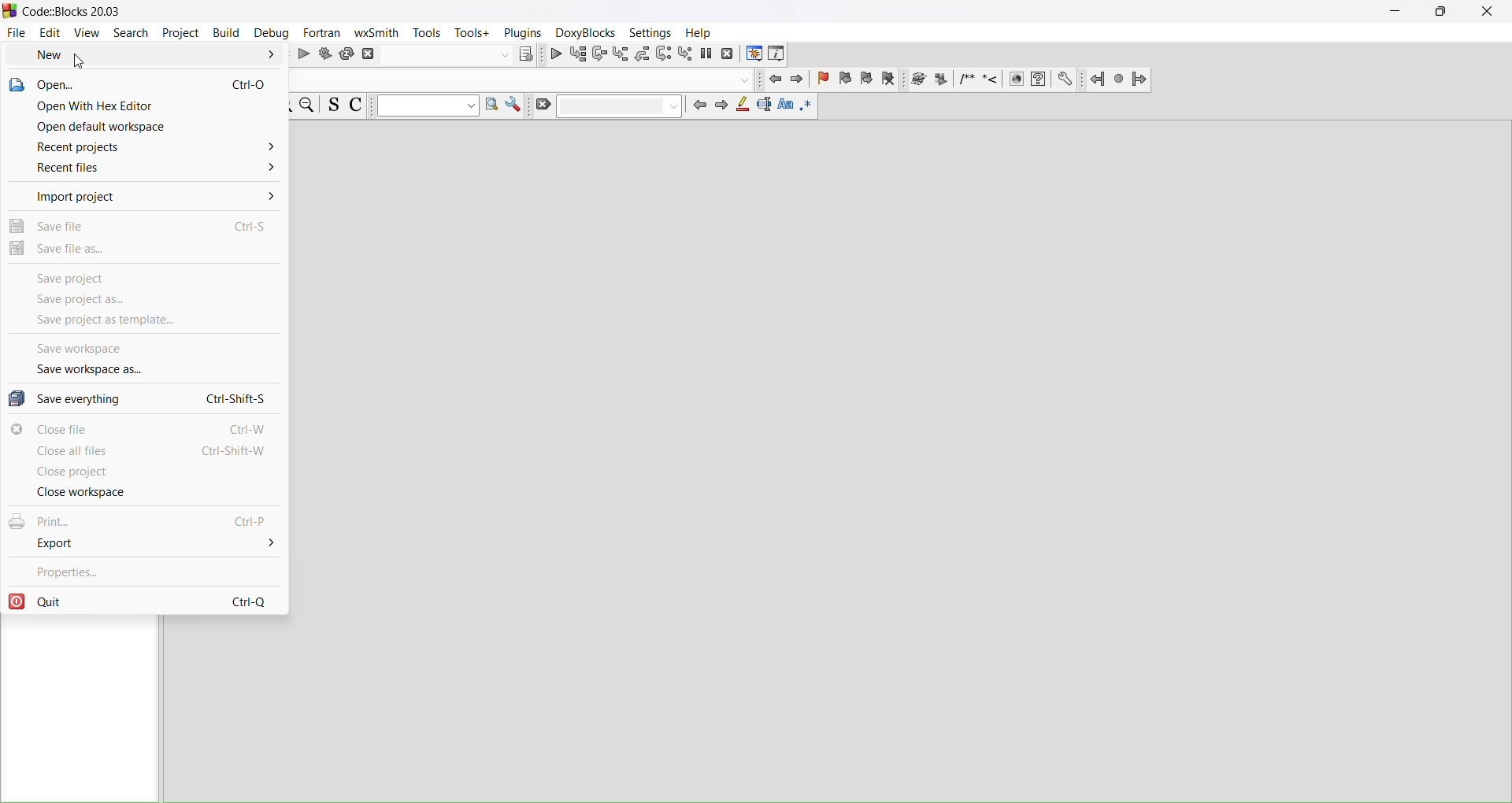  What do you see at coordinates (643, 55) in the screenshot?
I see `step out` at bounding box center [643, 55].